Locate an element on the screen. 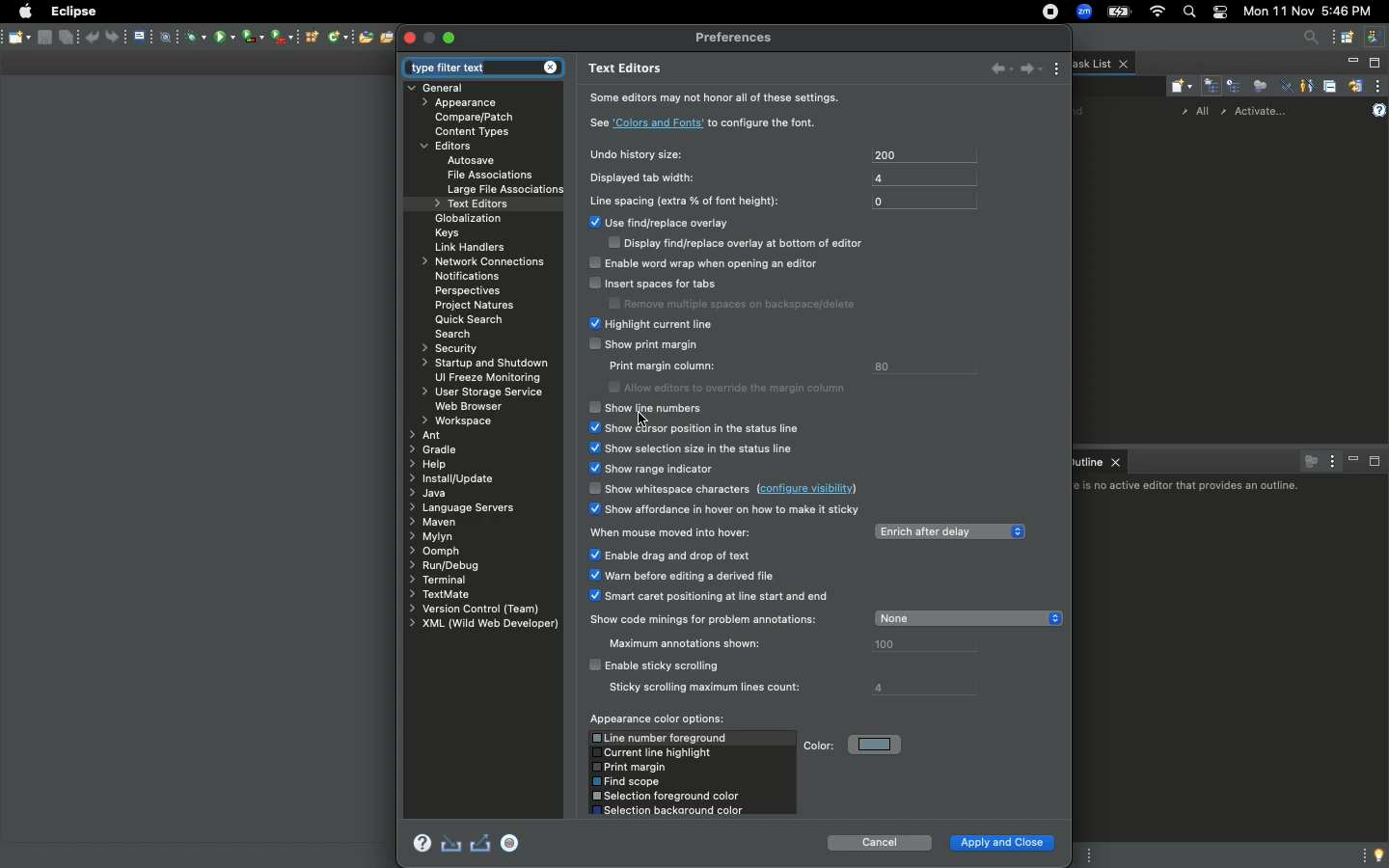  Forward is located at coordinates (1029, 69).